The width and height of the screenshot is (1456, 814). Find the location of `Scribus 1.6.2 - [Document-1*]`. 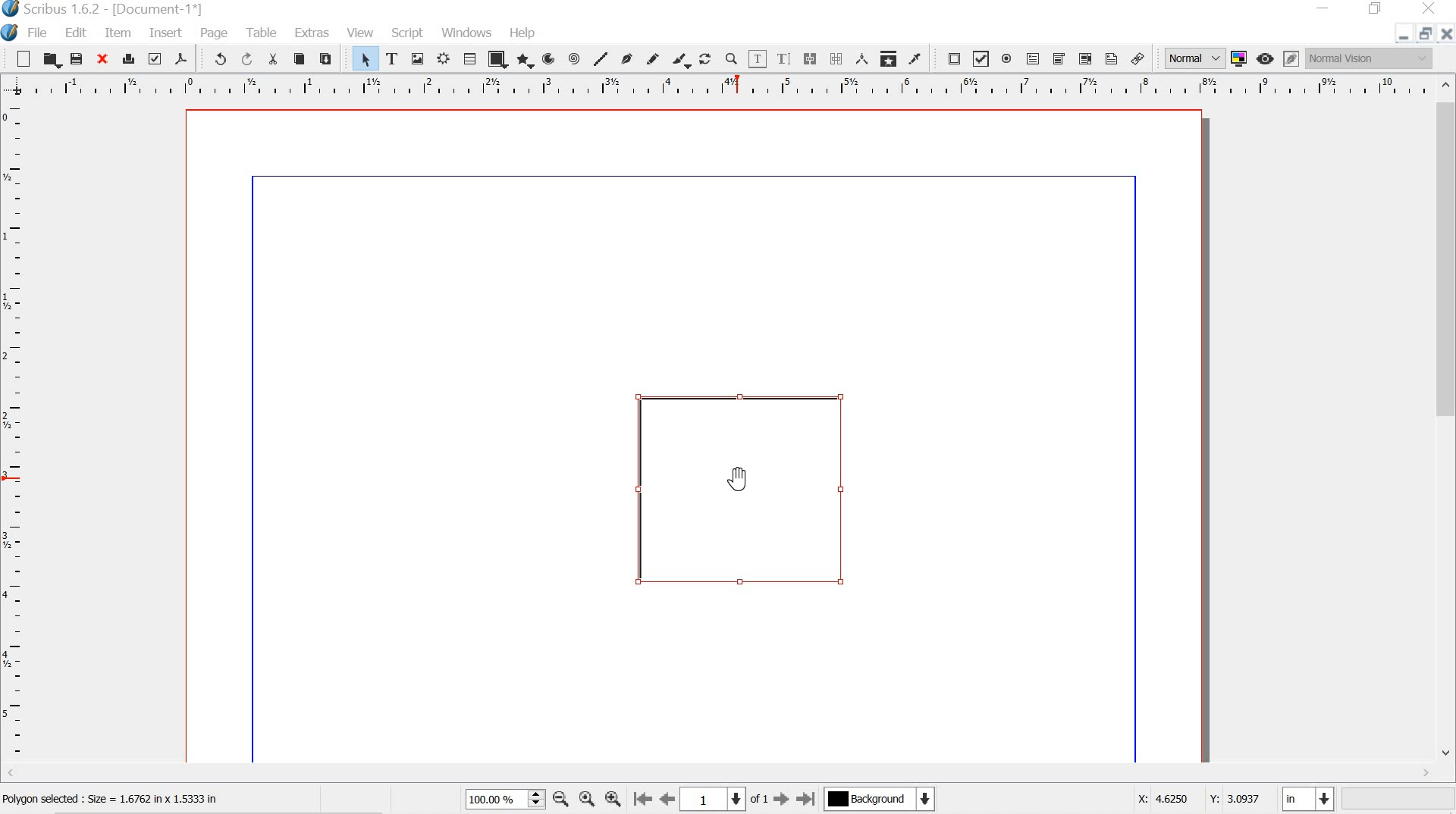

Scribus 1.6.2 - [Document-1*] is located at coordinates (115, 10).